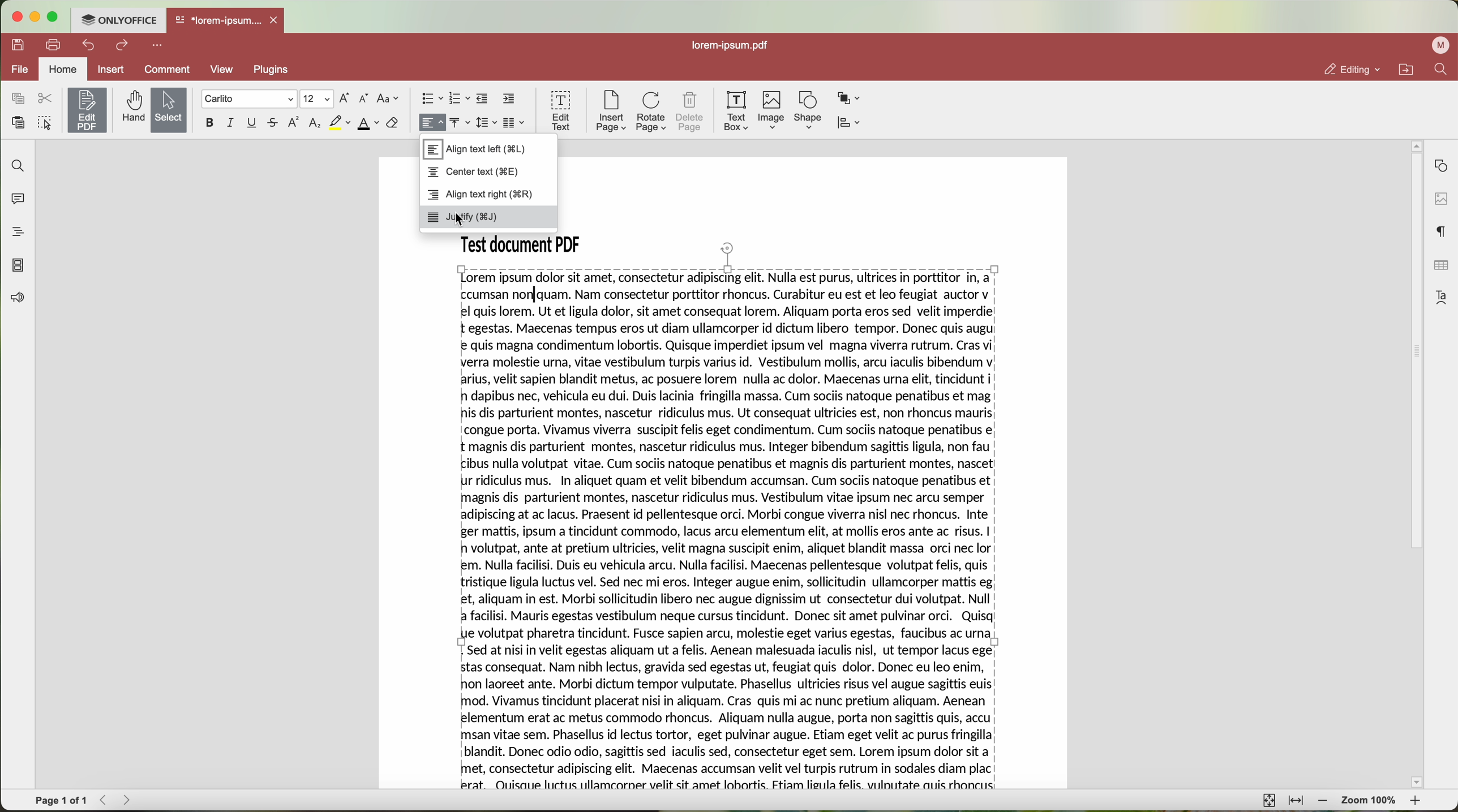 This screenshot has width=1458, height=812. I want to click on italic, so click(230, 123).